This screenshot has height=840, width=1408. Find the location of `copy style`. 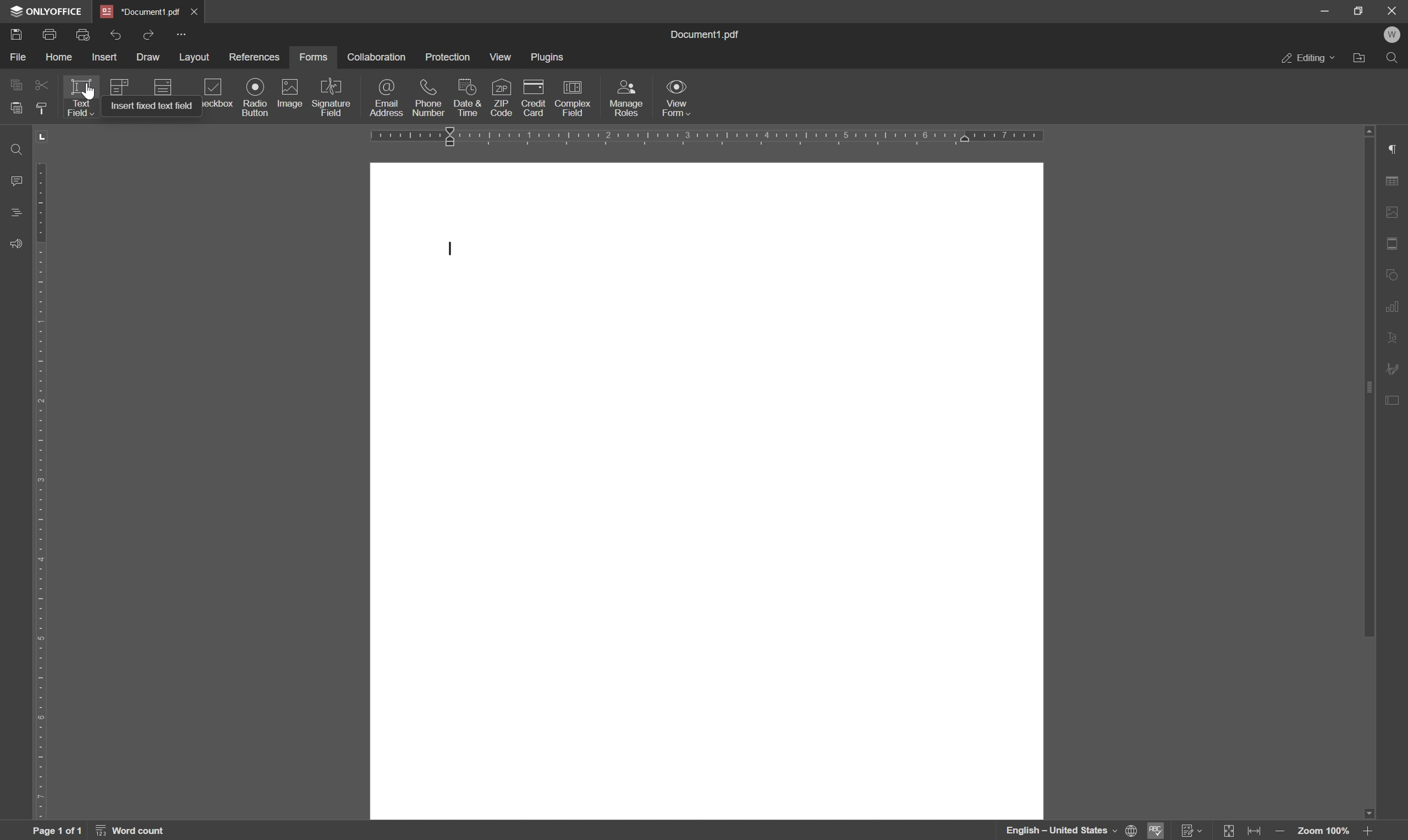

copy style is located at coordinates (45, 108).